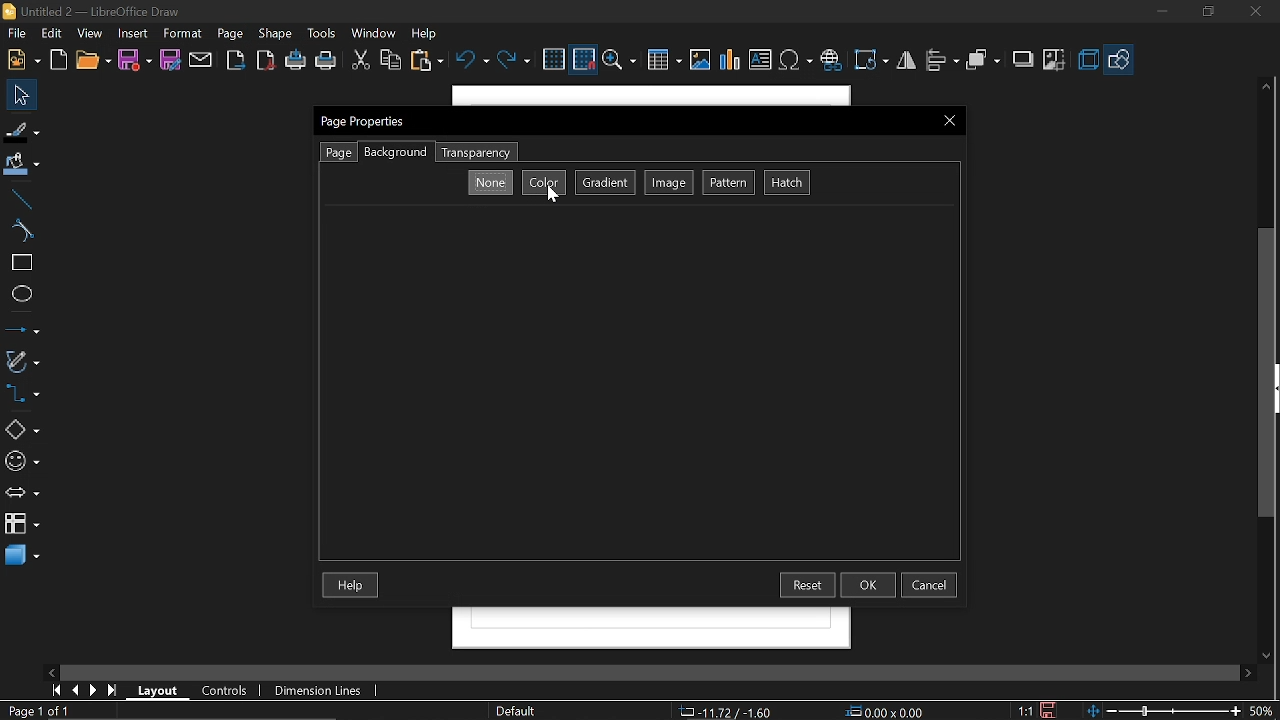 This screenshot has height=720, width=1280. What do you see at coordinates (670, 183) in the screenshot?
I see `Image` at bounding box center [670, 183].